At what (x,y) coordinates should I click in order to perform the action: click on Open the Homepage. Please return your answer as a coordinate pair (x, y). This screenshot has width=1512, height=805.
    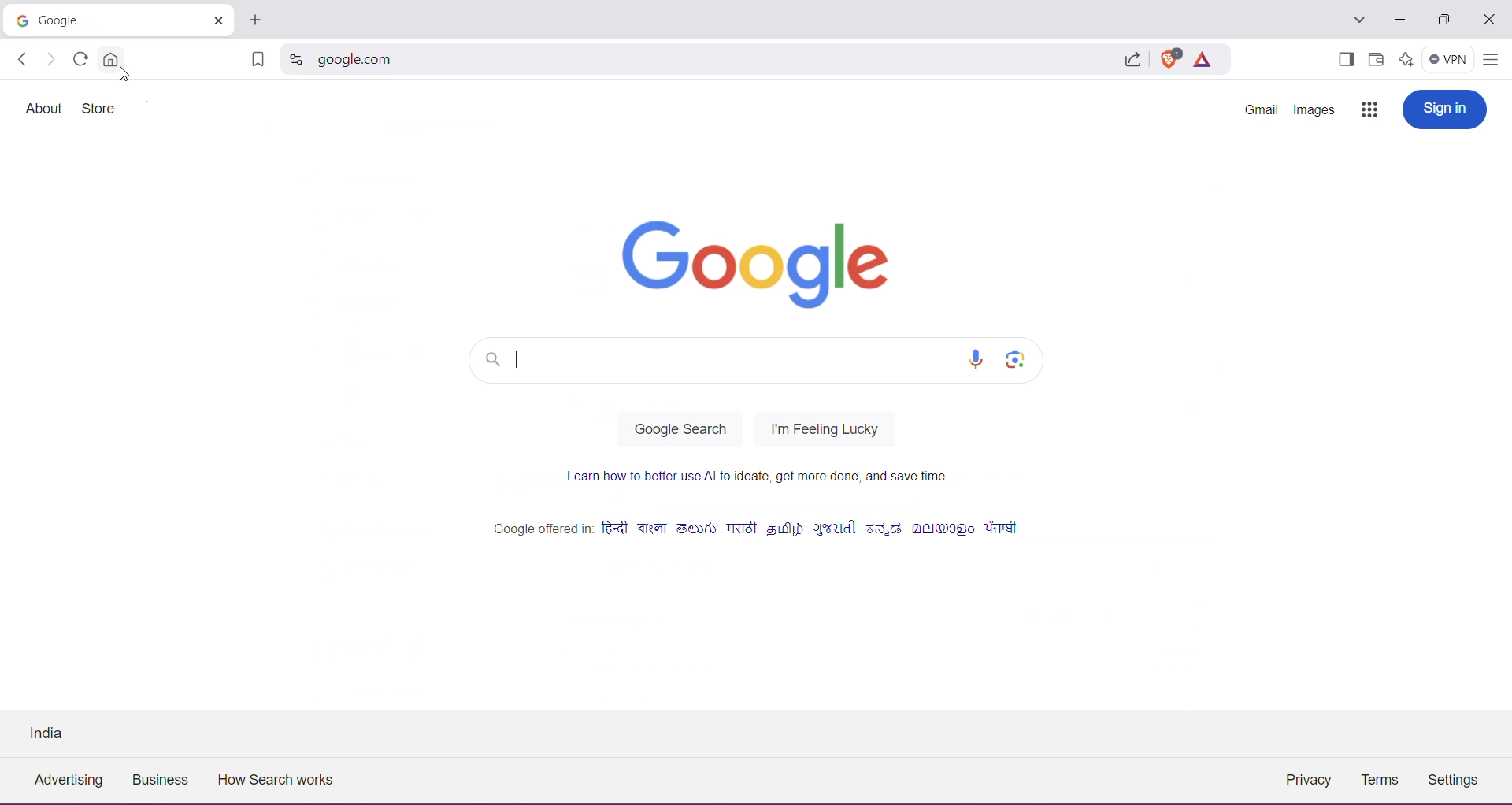
    Looking at the image, I should click on (109, 58).